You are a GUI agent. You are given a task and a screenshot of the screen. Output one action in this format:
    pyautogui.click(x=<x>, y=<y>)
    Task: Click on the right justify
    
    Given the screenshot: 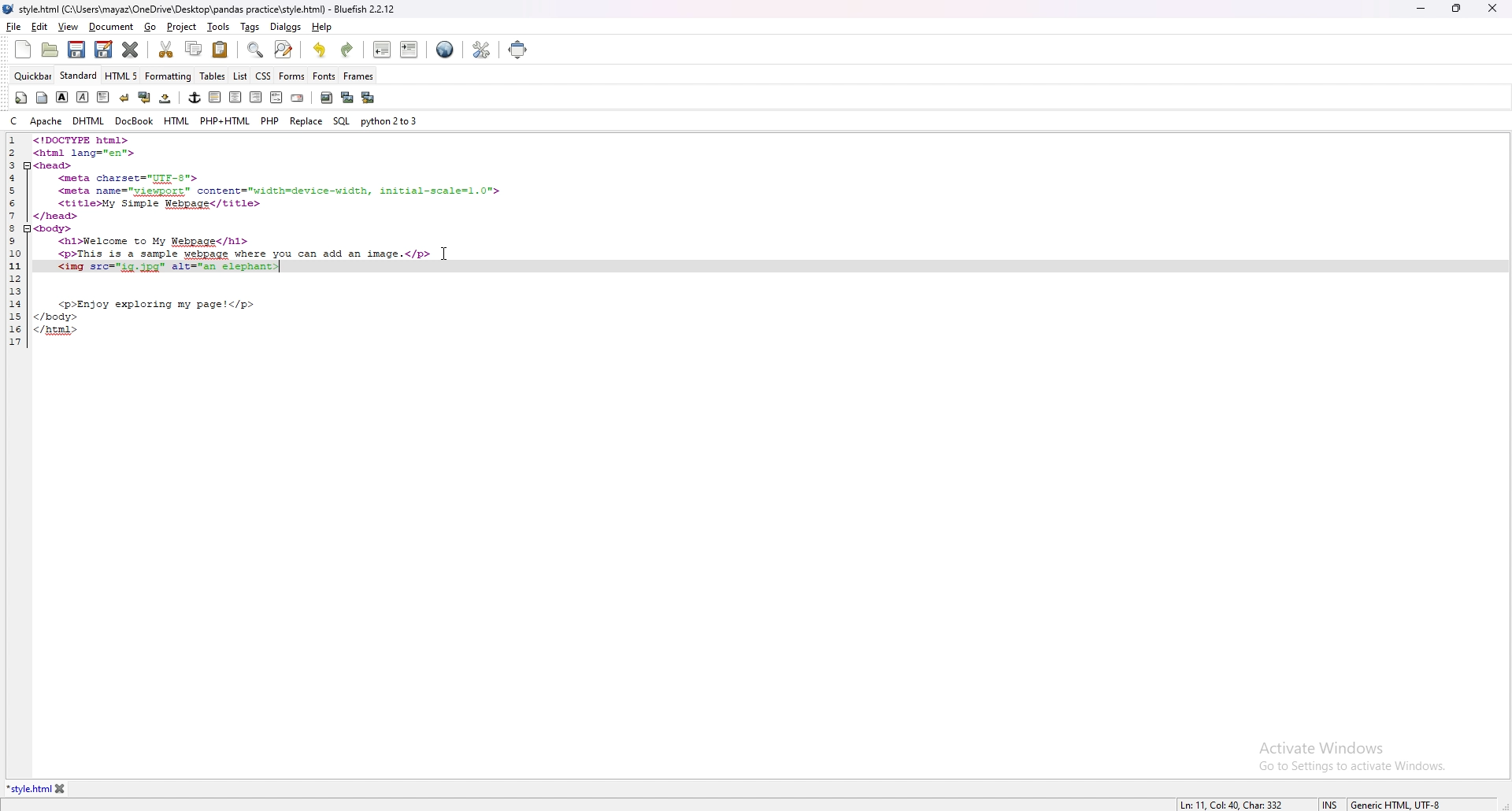 What is the action you would take?
    pyautogui.click(x=257, y=98)
    